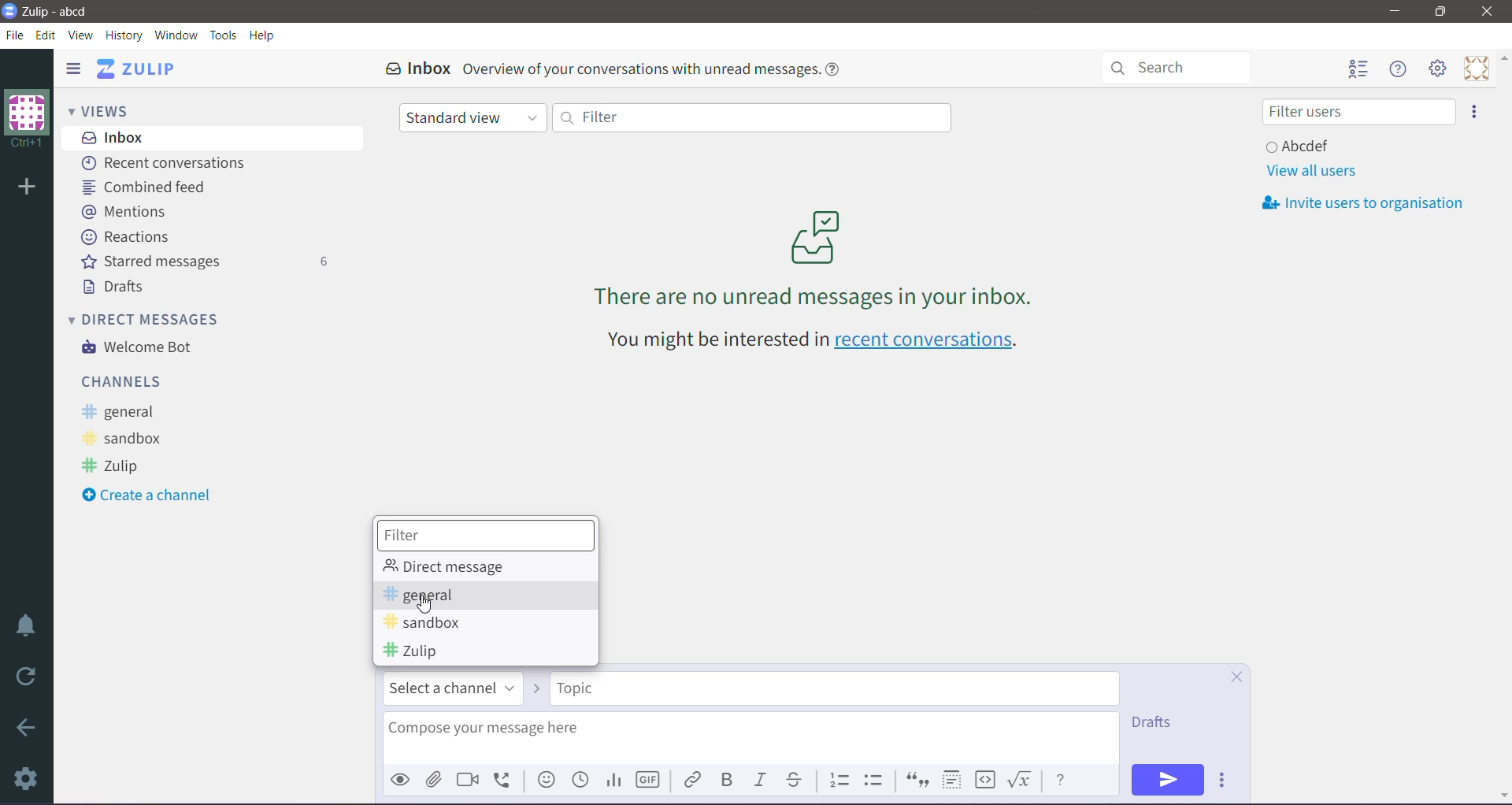 This screenshot has width=1512, height=805. Describe the element at coordinates (1440, 12) in the screenshot. I see `Restore Down` at that location.